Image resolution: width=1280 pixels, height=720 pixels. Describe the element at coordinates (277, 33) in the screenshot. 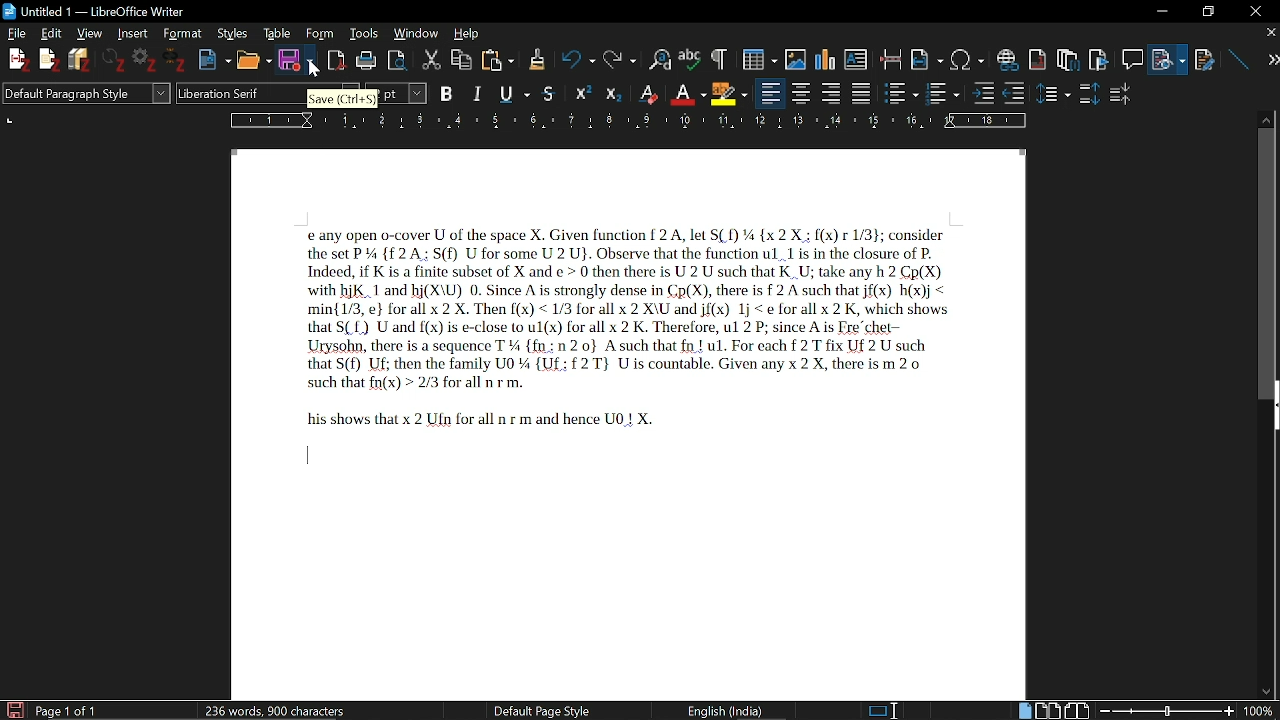

I see `Table` at that location.